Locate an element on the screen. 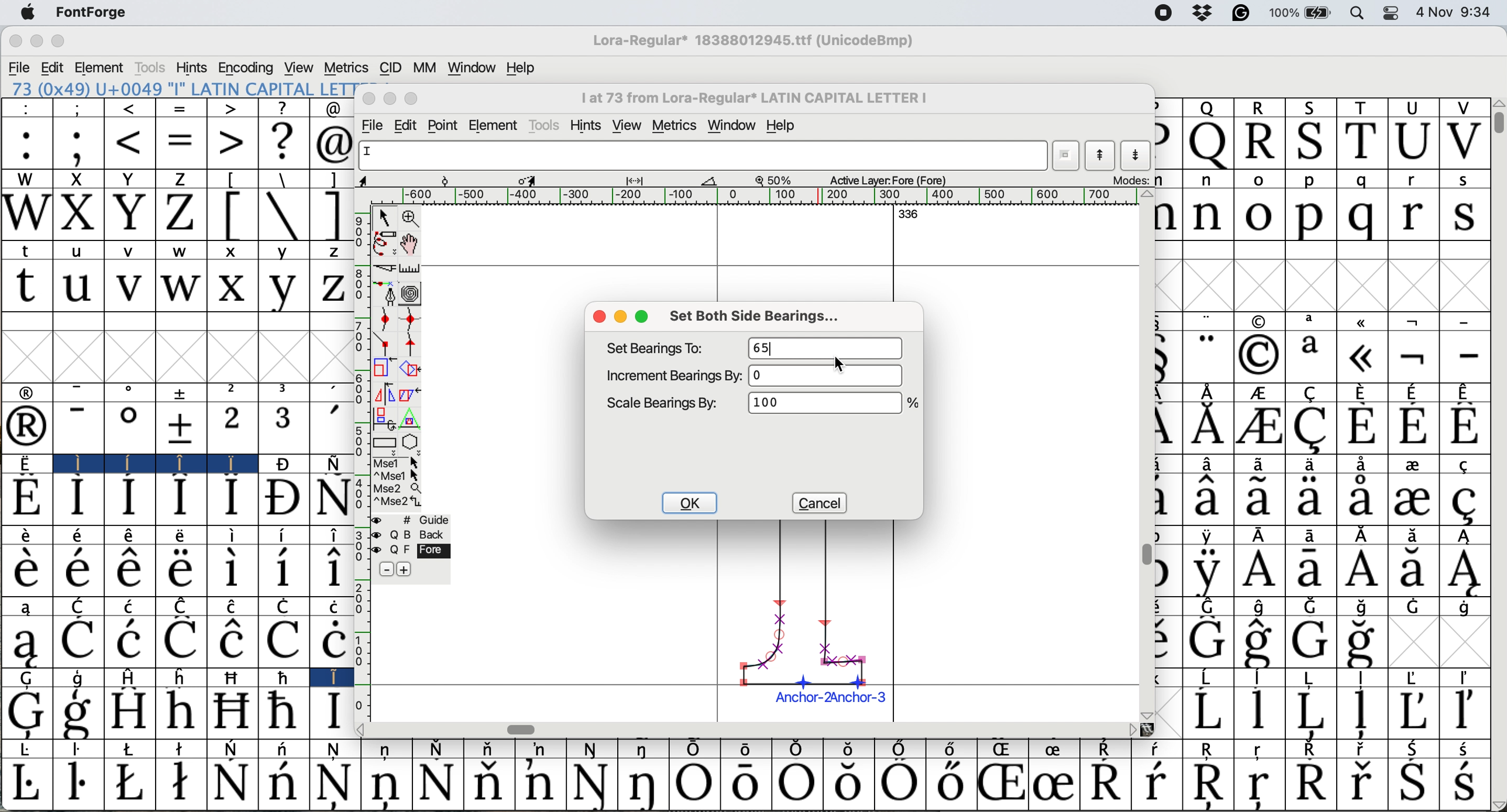 This screenshot has height=812, width=1507. Z is located at coordinates (178, 179).